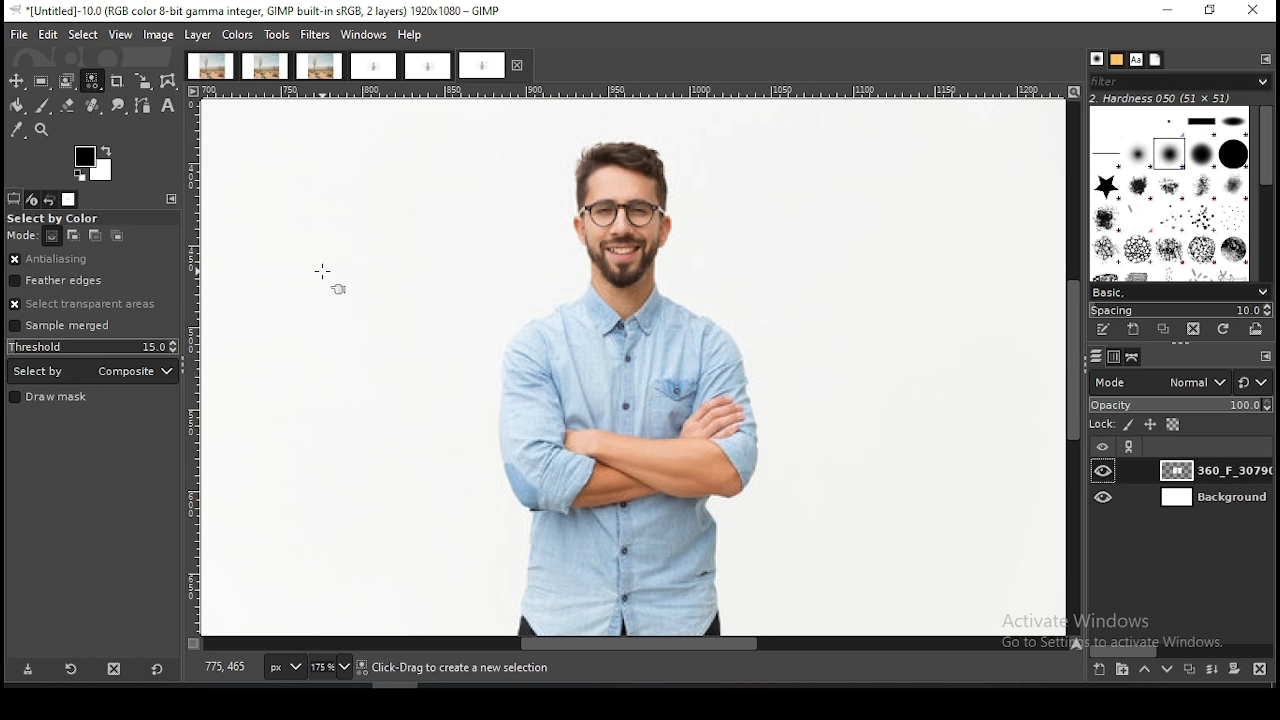 This screenshot has width=1280, height=720. Describe the element at coordinates (14, 199) in the screenshot. I see `tool options` at that location.